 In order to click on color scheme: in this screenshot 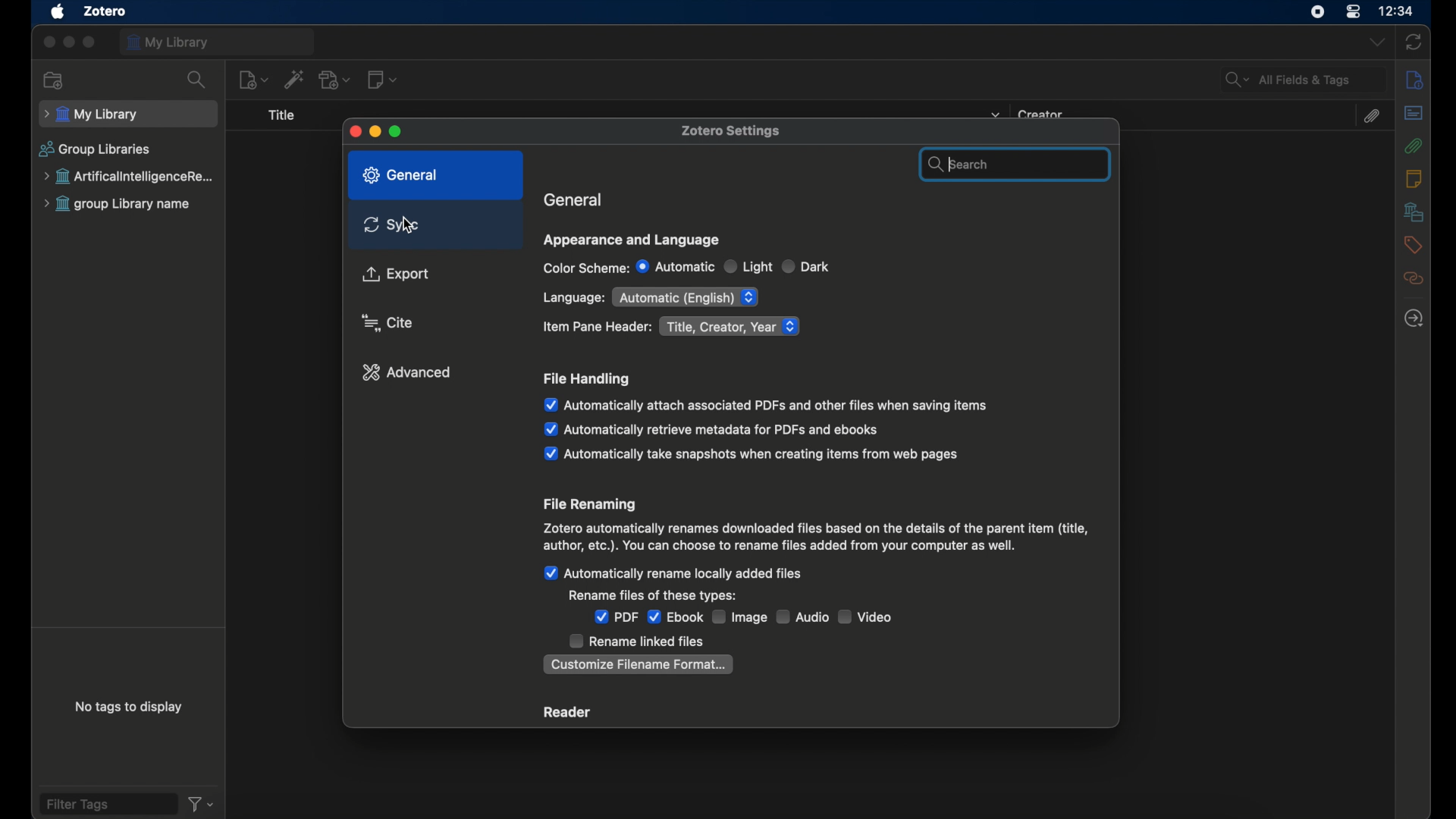, I will do `click(583, 268)`.